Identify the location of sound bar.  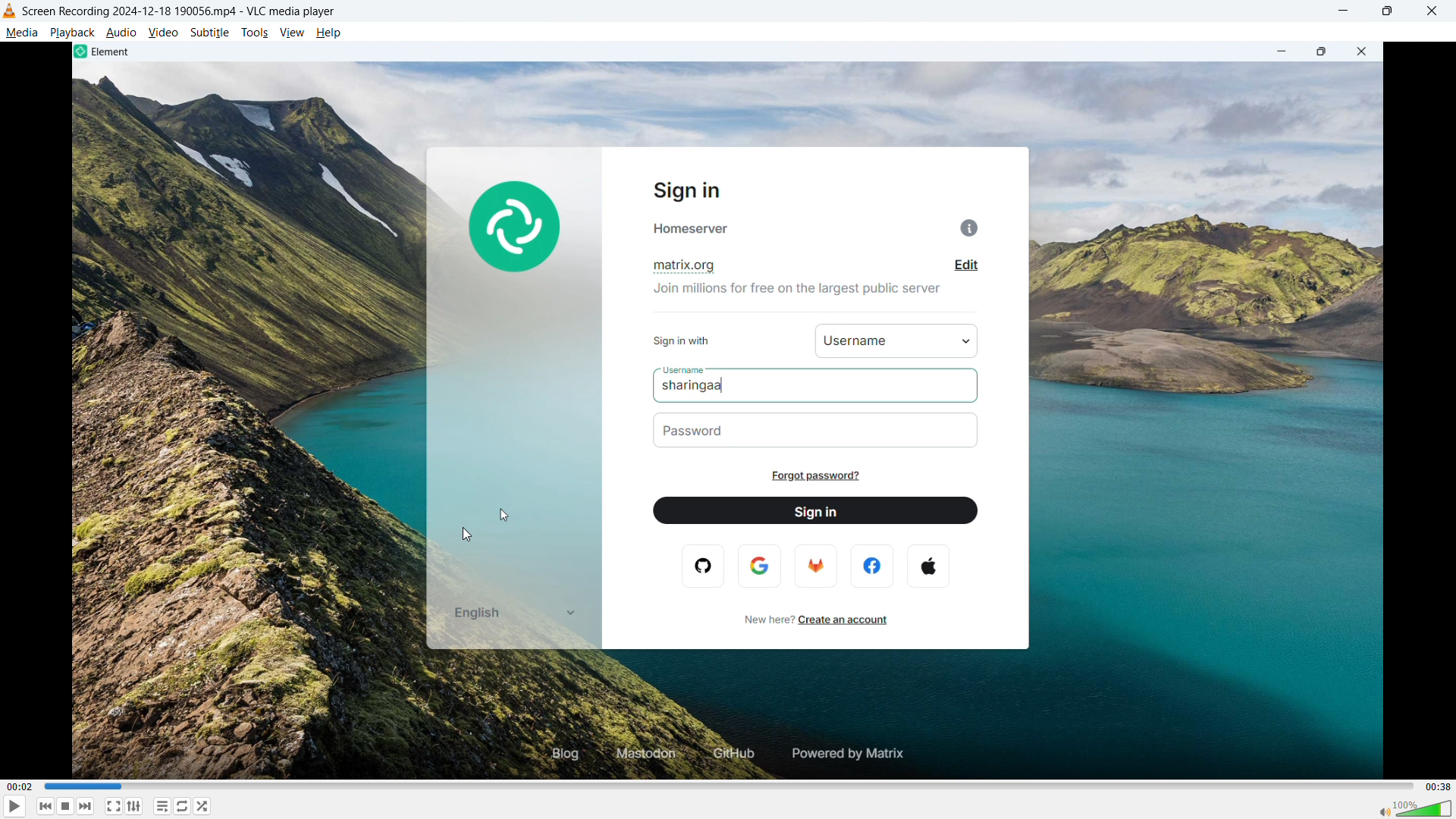
(1414, 808).